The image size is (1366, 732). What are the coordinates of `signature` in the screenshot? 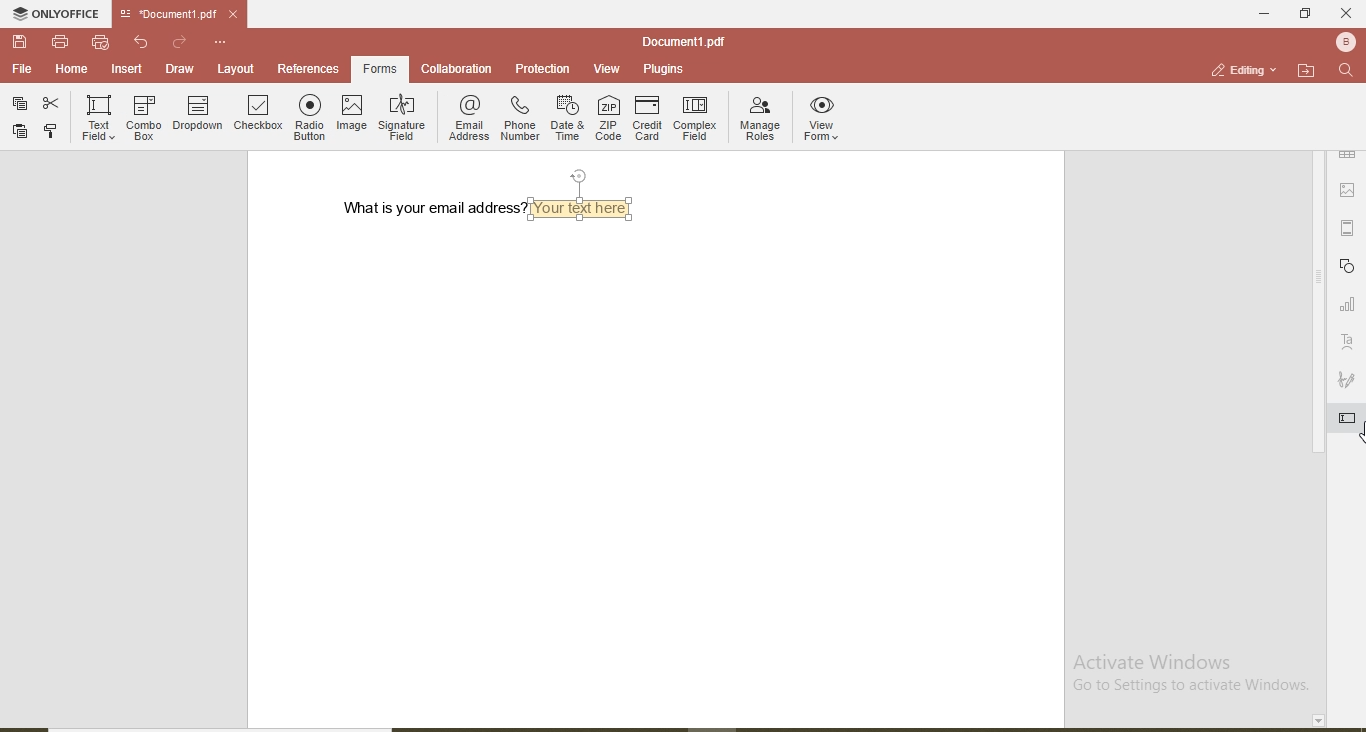 It's located at (1347, 379).